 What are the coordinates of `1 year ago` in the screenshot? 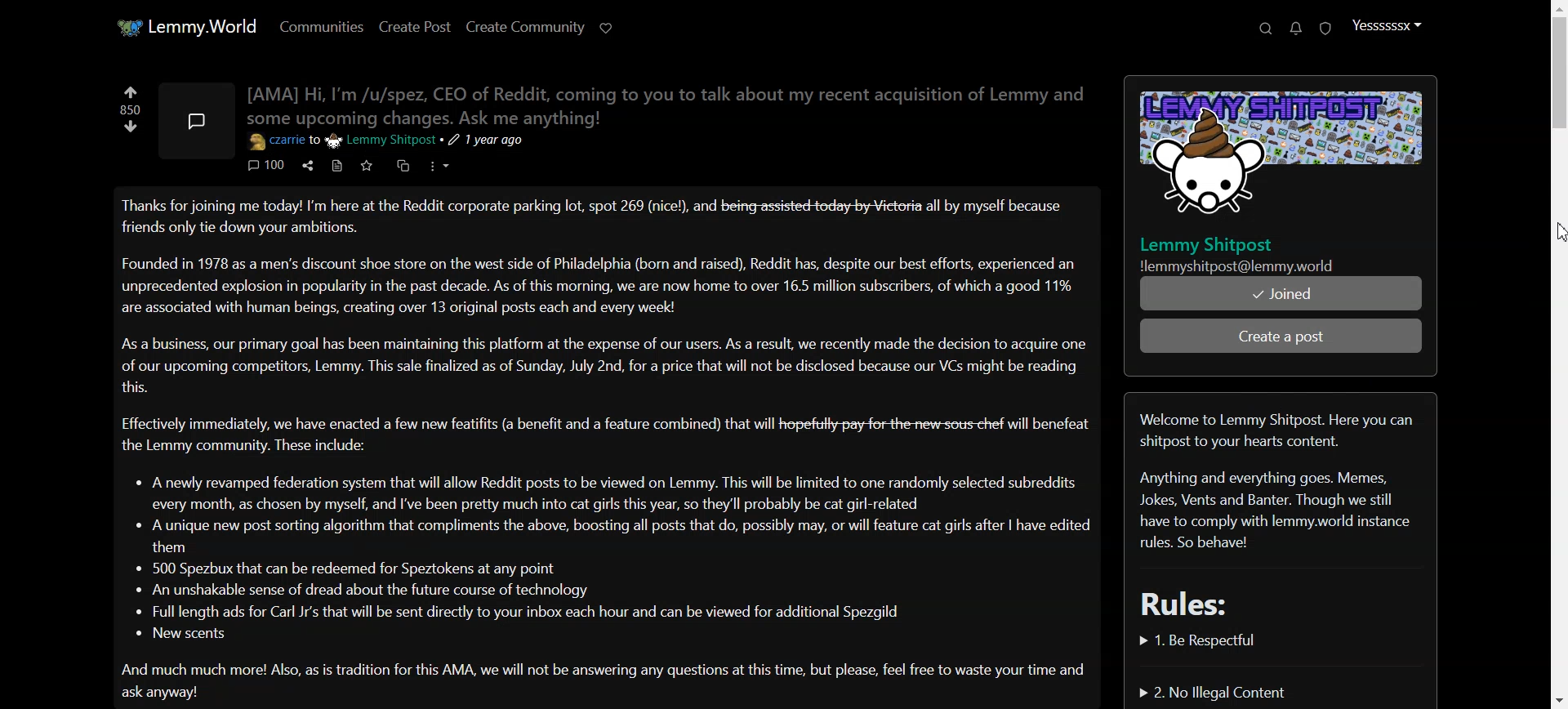 It's located at (492, 140).